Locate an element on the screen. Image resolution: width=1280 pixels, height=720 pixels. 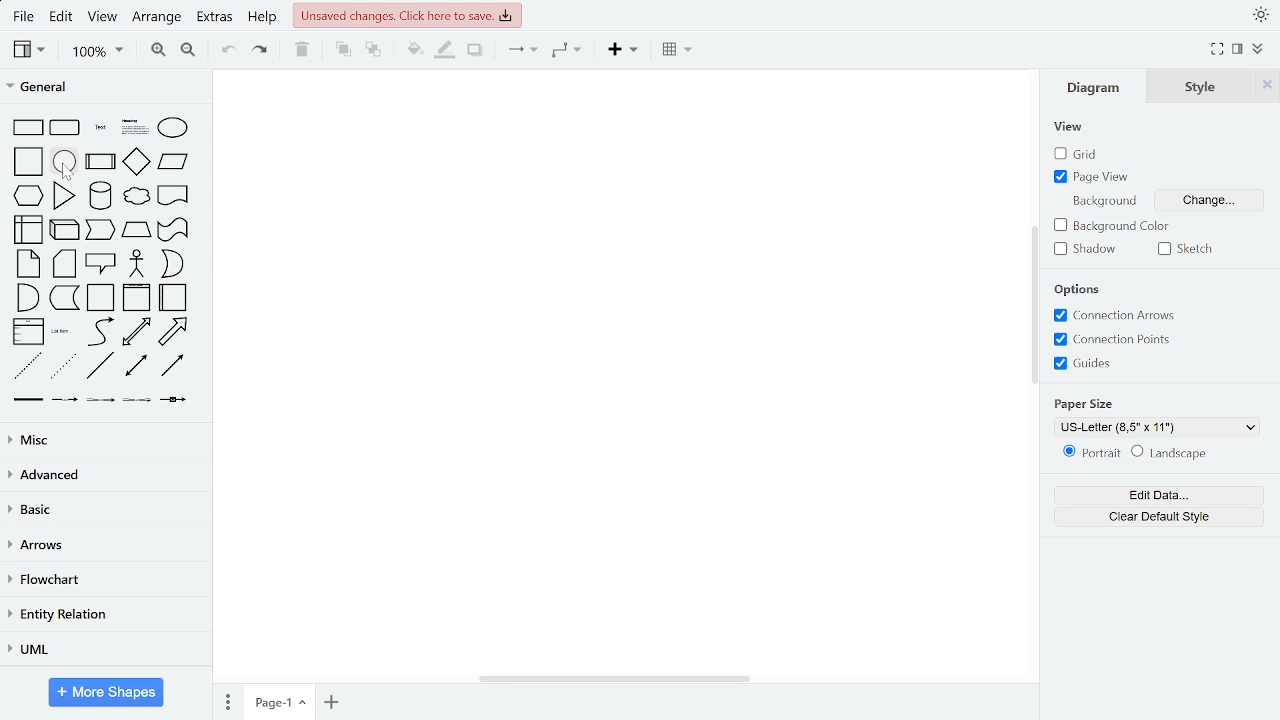
link 3 label is located at coordinates (137, 400).